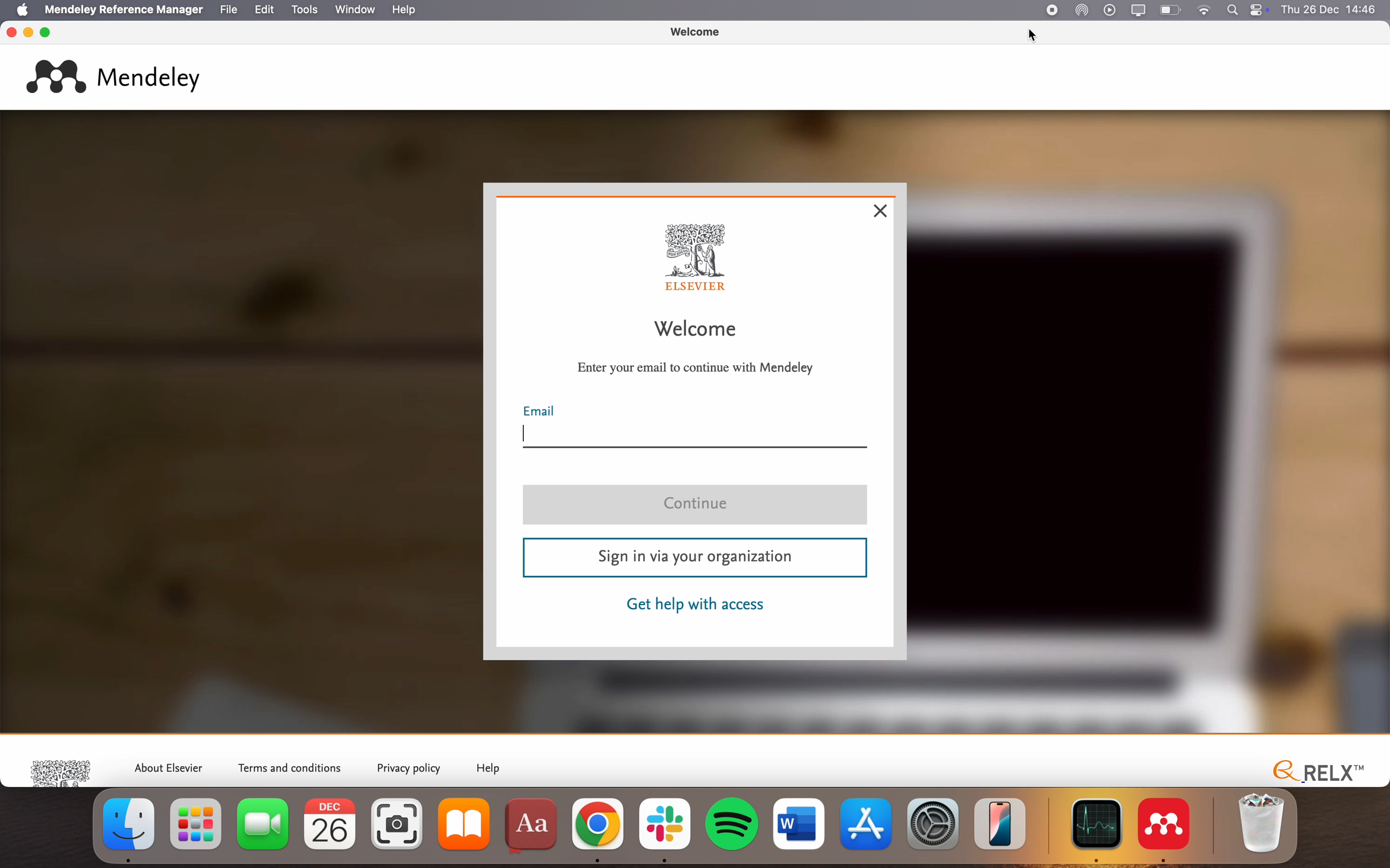 The height and width of the screenshot is (868, 1390). I want to click on sign in via your organization, so click(694, 559).